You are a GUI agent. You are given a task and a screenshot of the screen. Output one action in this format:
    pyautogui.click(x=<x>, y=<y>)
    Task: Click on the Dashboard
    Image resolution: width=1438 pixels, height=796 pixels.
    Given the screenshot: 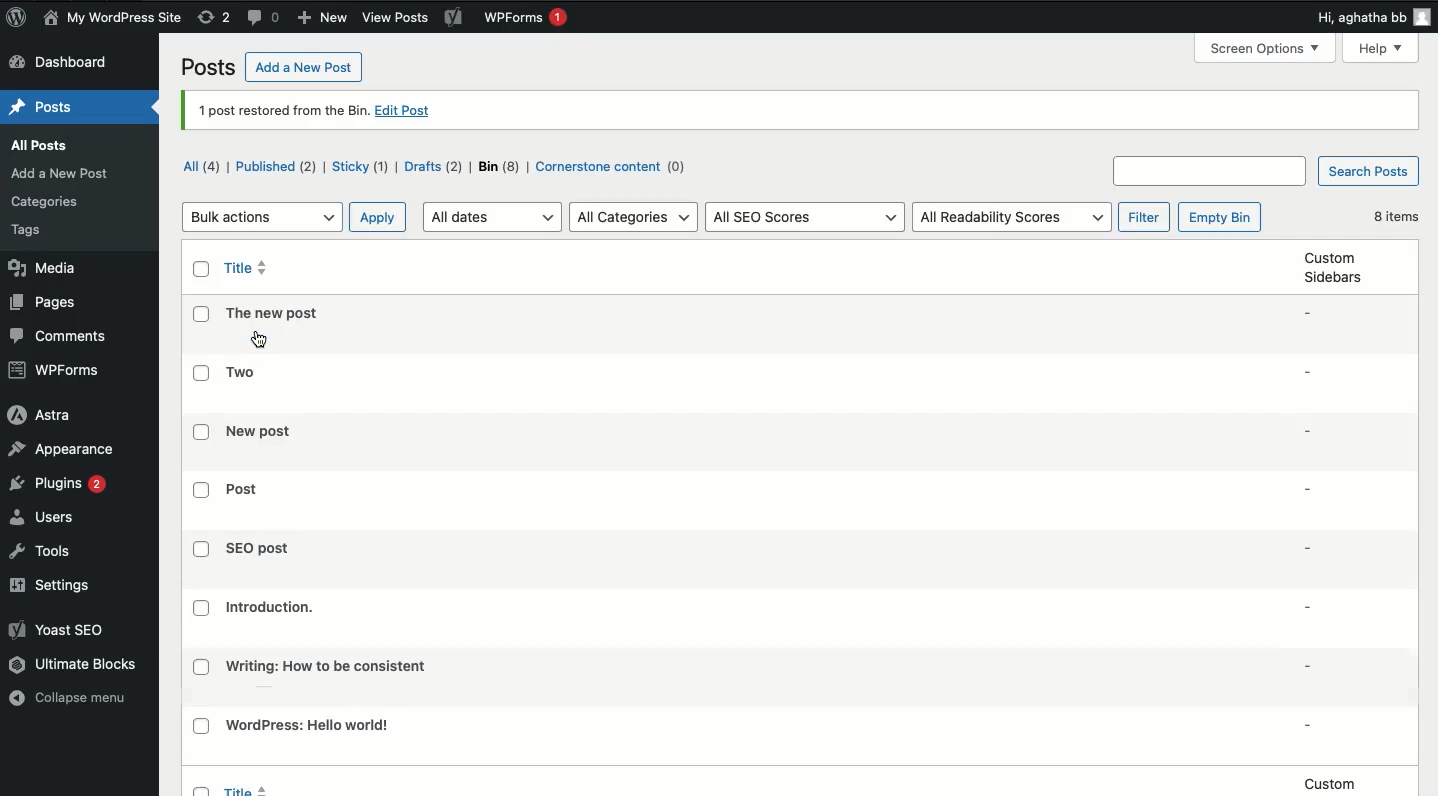 What is the action you would take?
    pyautogui.click(x=68, y=63)
    